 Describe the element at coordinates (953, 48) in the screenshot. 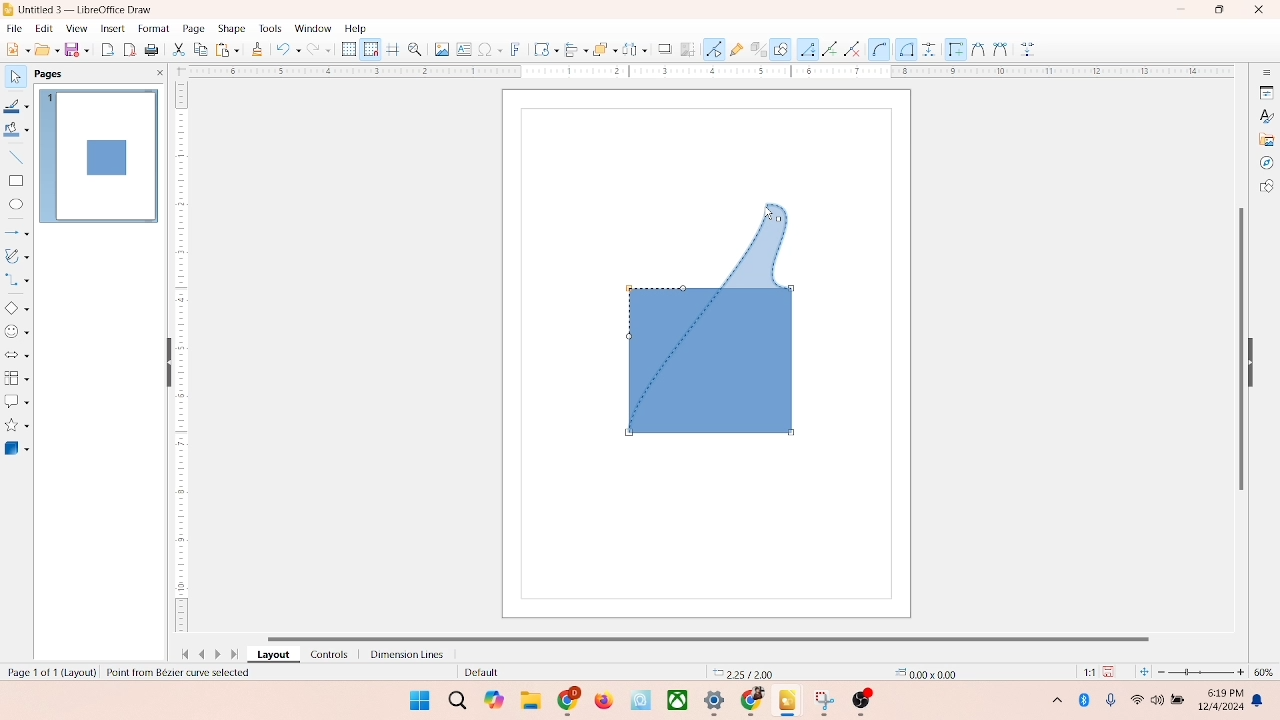

I see `Edit points tool` at that location.